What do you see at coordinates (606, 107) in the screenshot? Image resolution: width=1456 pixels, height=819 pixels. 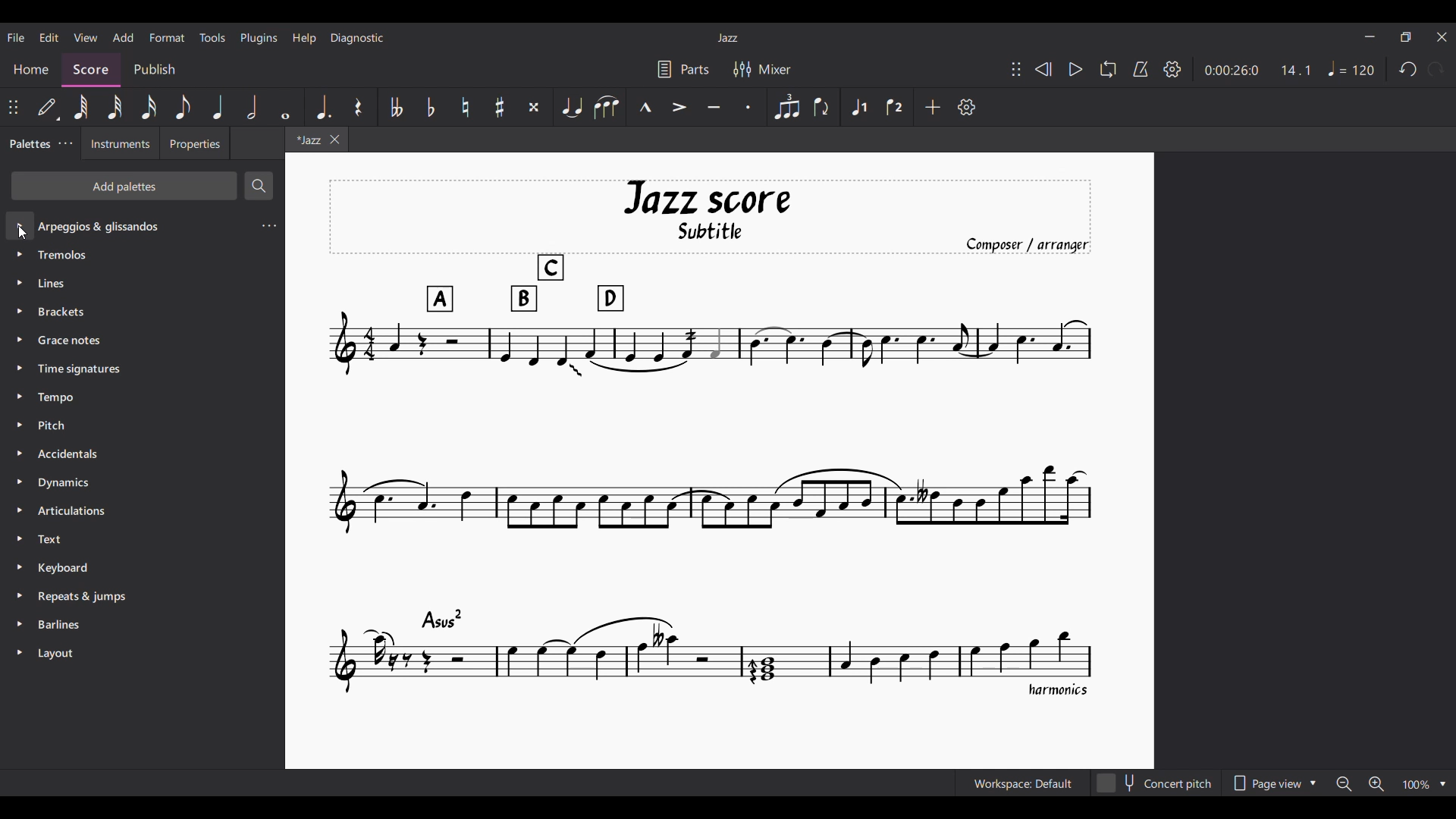 I see `Slur` at bounding box center [606, 107].